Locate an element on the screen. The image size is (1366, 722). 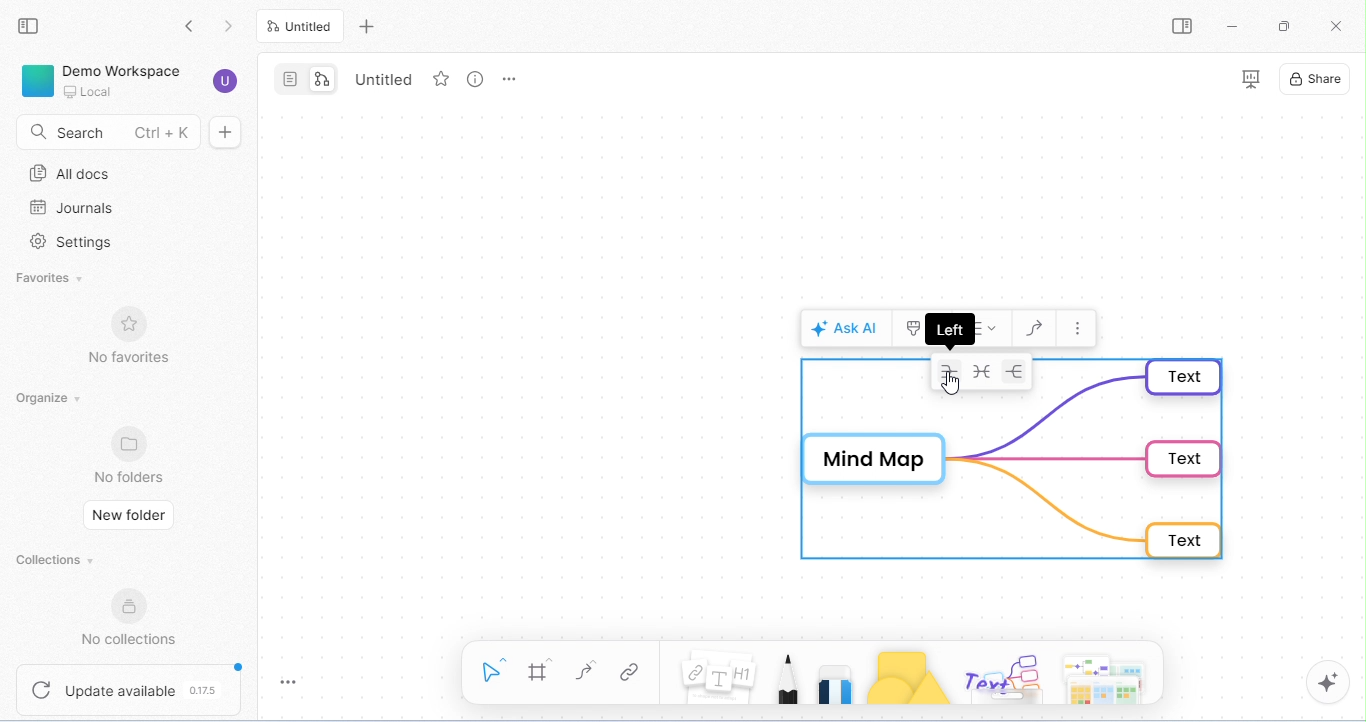
pencil is located at coordinates (789, 677).